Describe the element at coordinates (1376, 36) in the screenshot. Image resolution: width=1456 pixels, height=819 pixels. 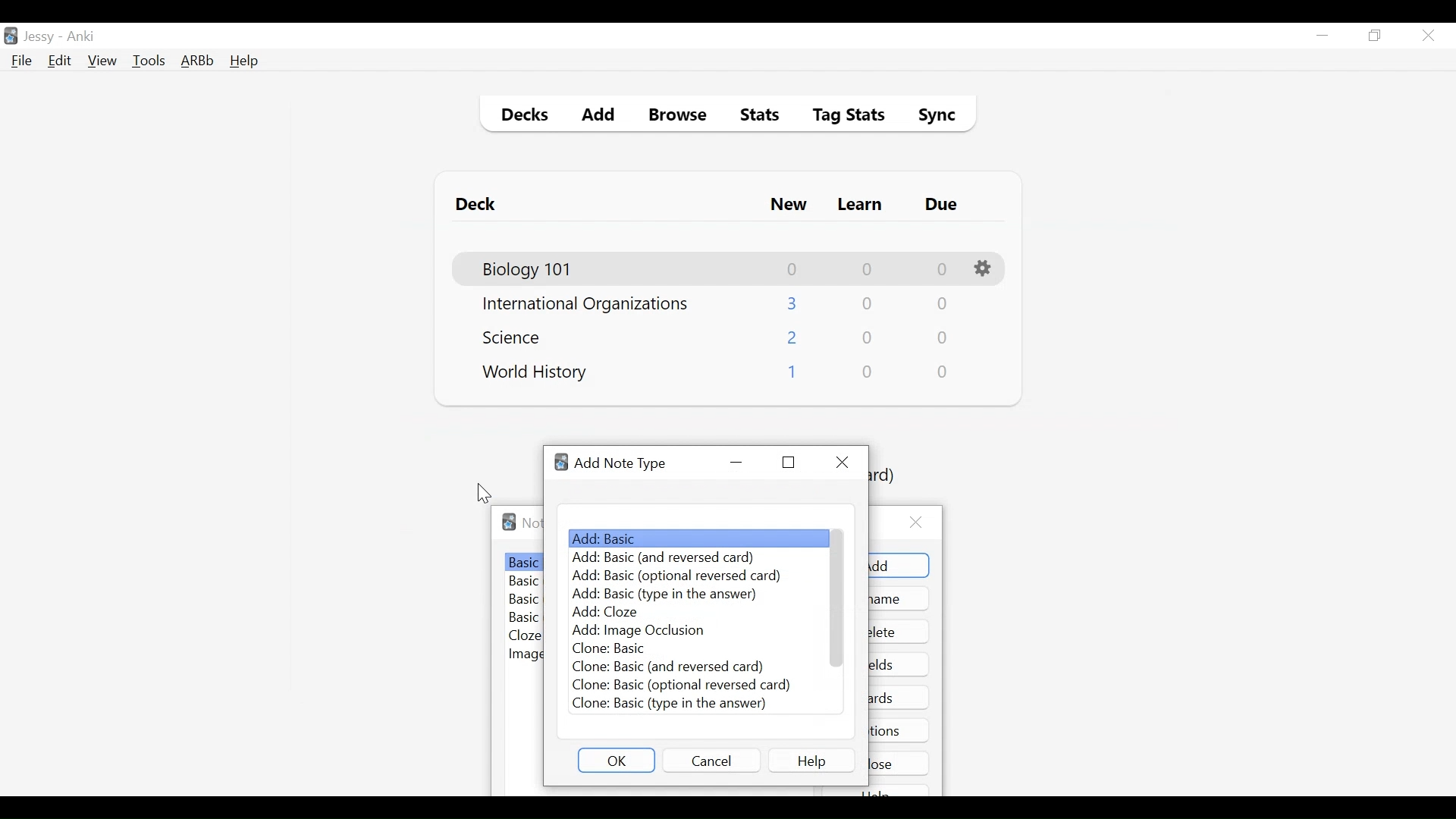
I see `Restore` at that location.